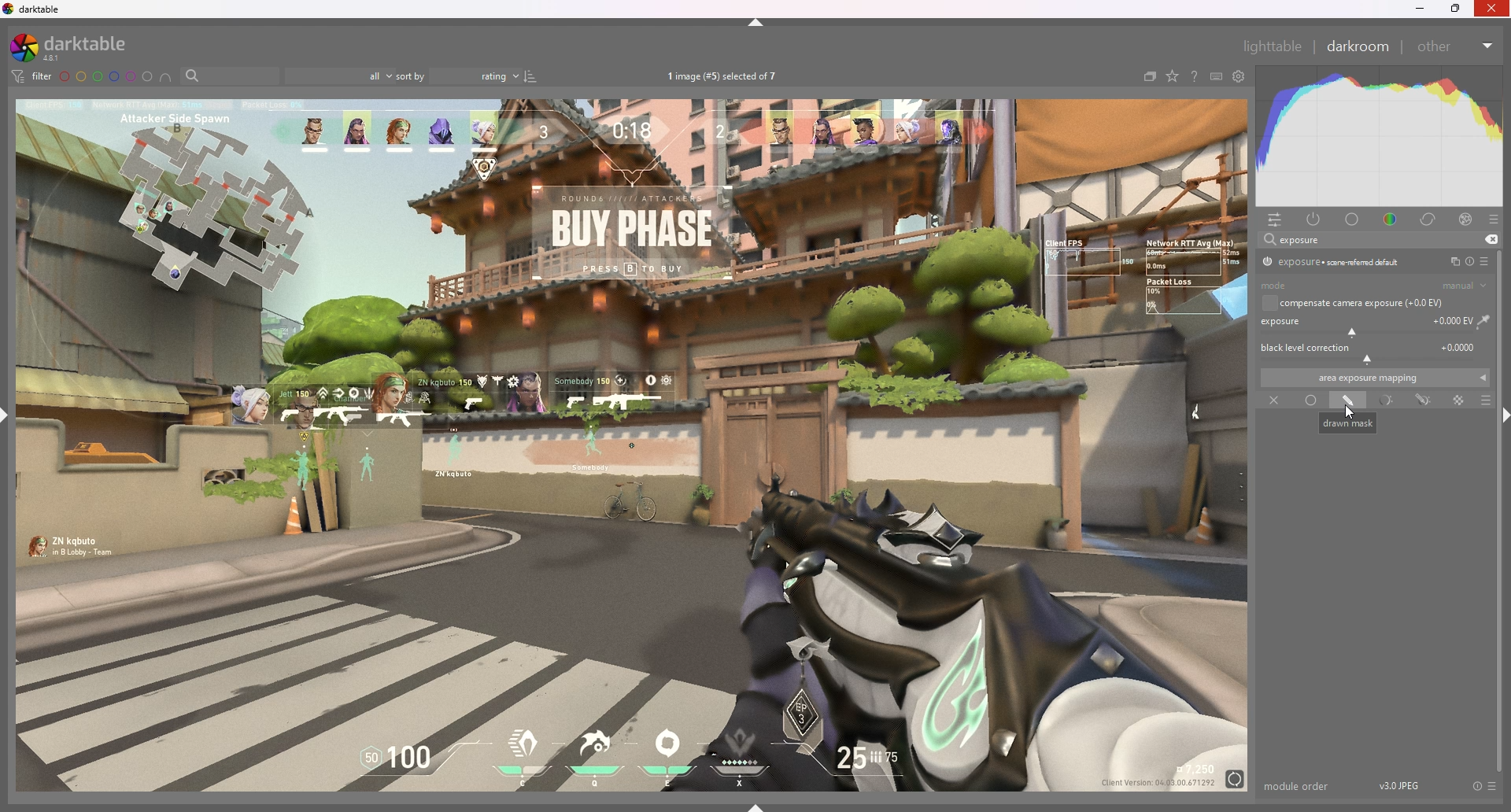 The width and height of the screenshot is (1511, 812). Describe the element at coordinates (1466, 220) in the screenshot. I see `effect` at that location.